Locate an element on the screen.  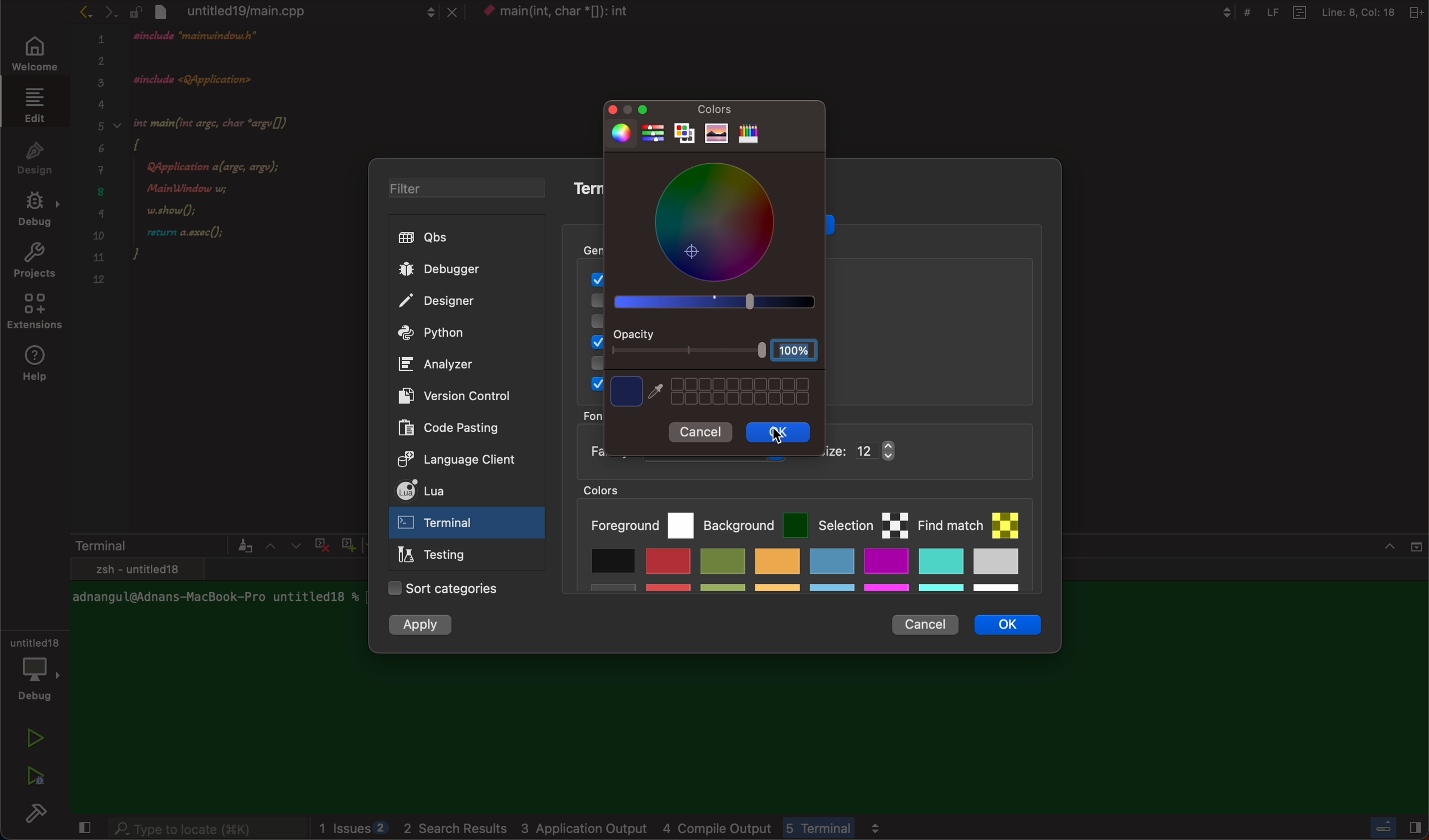
code posting is located at coordinates (456, 427).